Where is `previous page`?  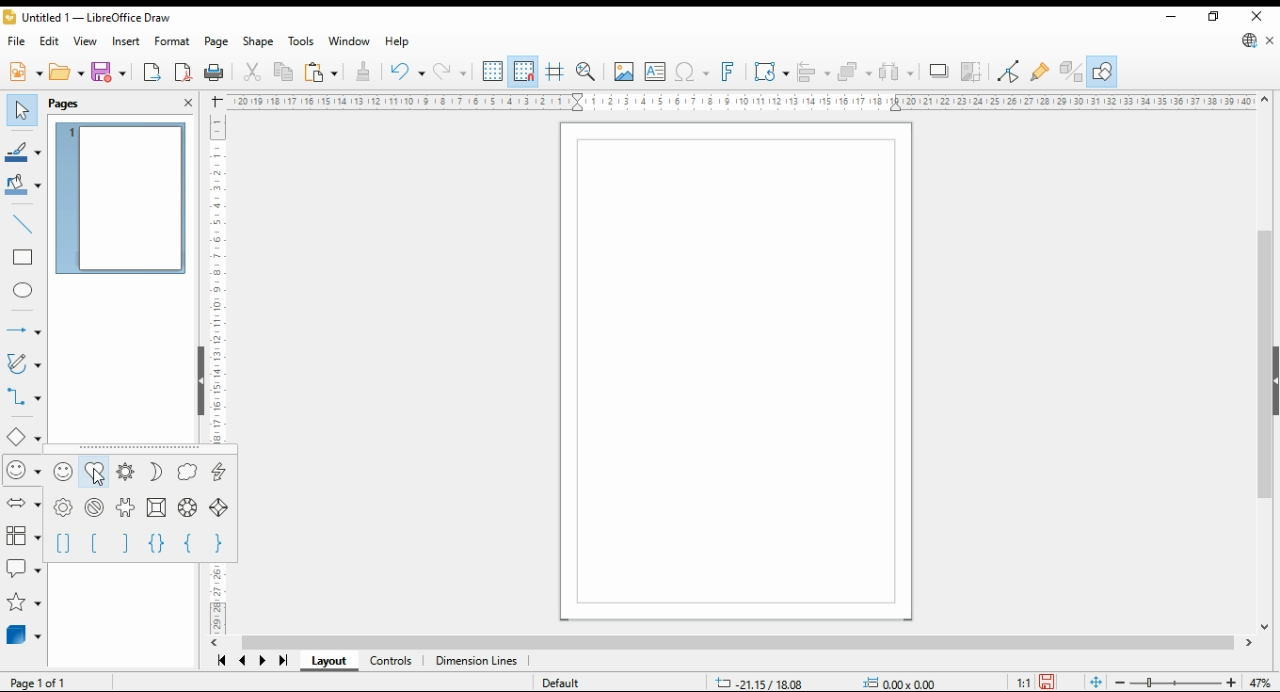
previous page is located at coordinates (243, 663).